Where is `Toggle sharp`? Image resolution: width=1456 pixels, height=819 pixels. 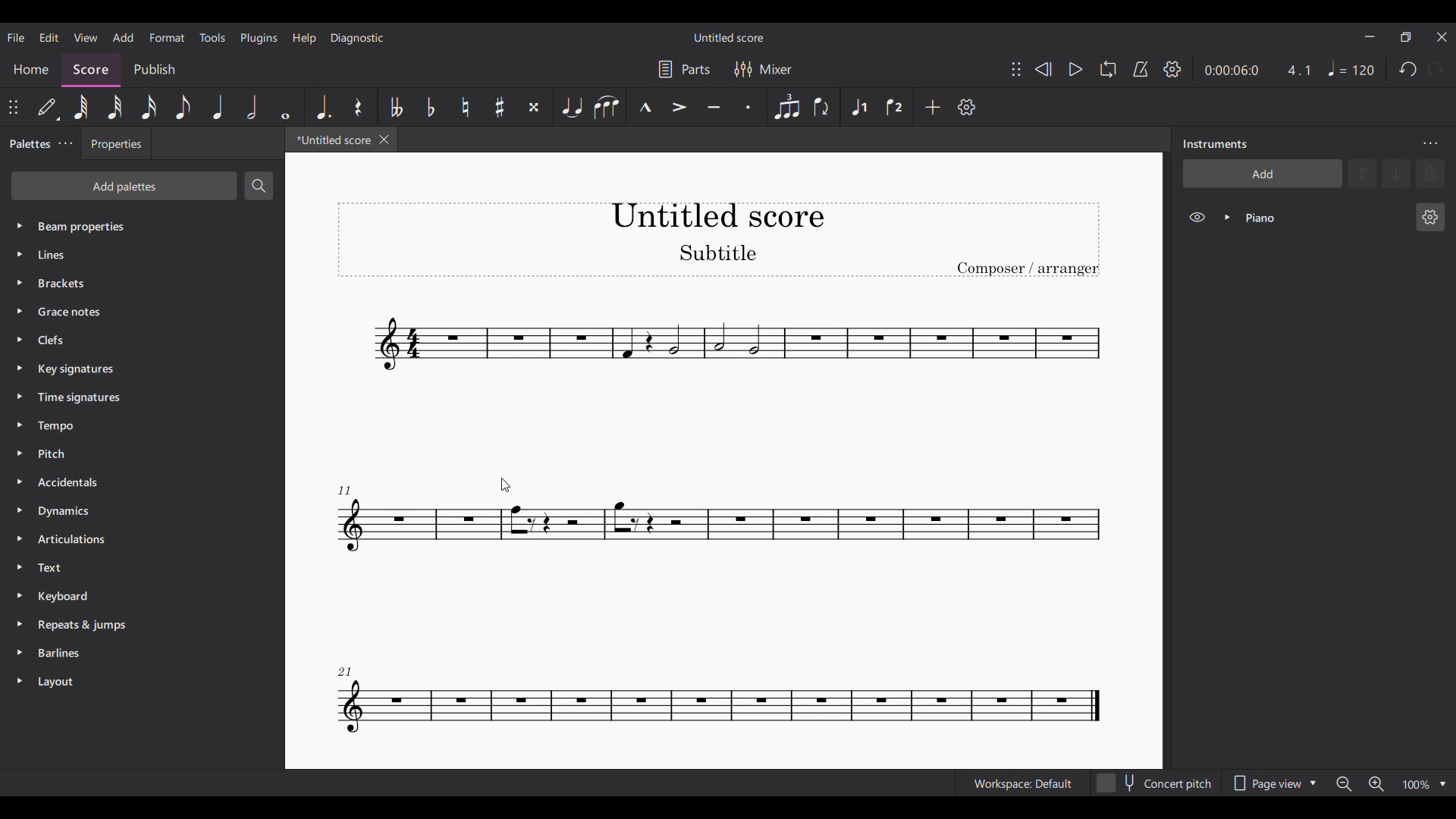
Toggle sharp is located at coordinates (500, 107).